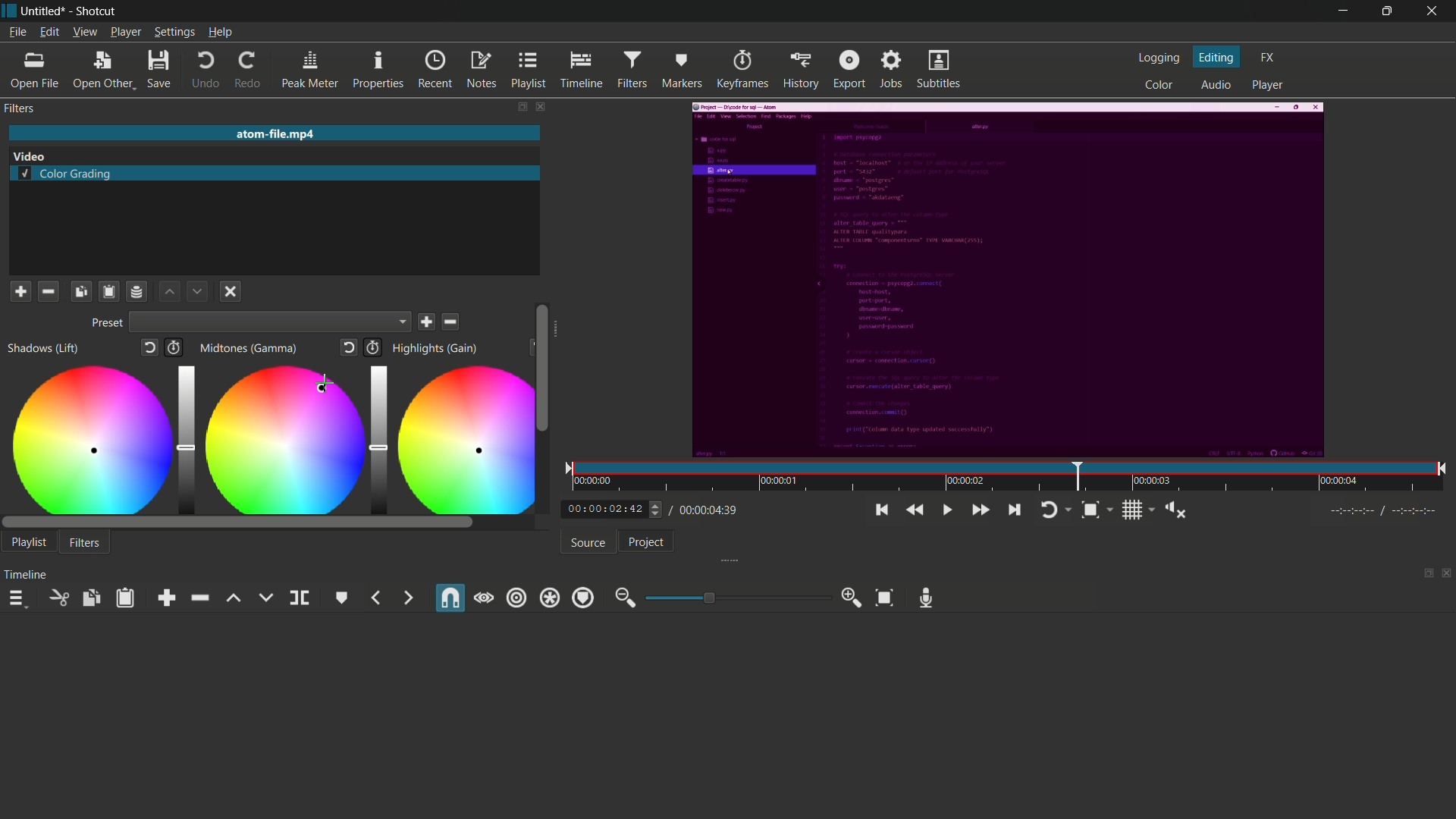 This screenshot has height=819, width=1456. What do you see at coordinates (850, 68) in the screenshot?
I see `export` at bounding box center [850, 68].